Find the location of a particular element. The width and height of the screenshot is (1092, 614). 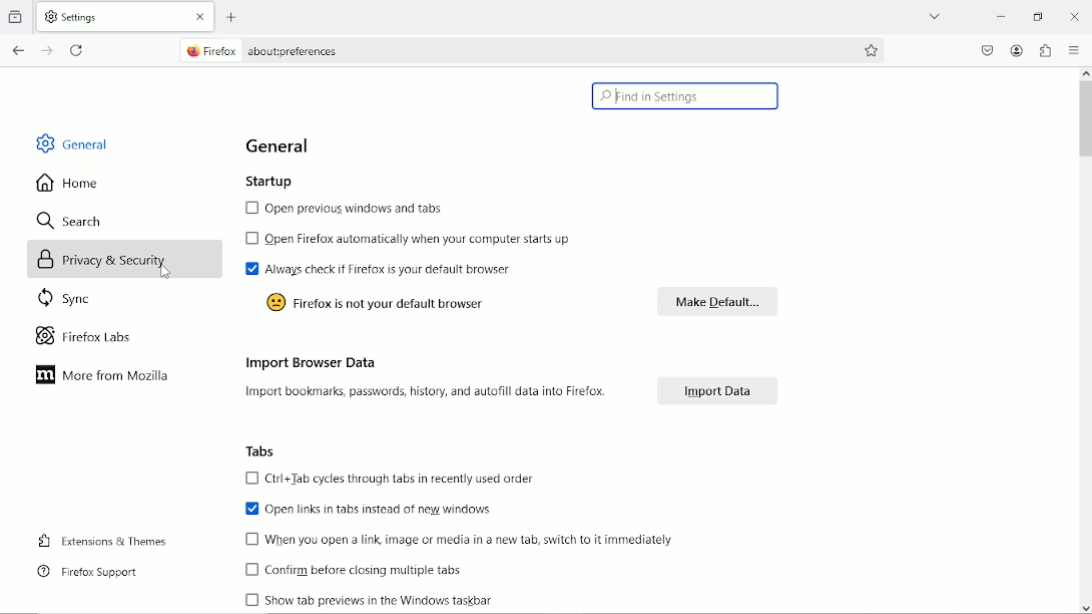

check box is located at coordinates (252, 207).